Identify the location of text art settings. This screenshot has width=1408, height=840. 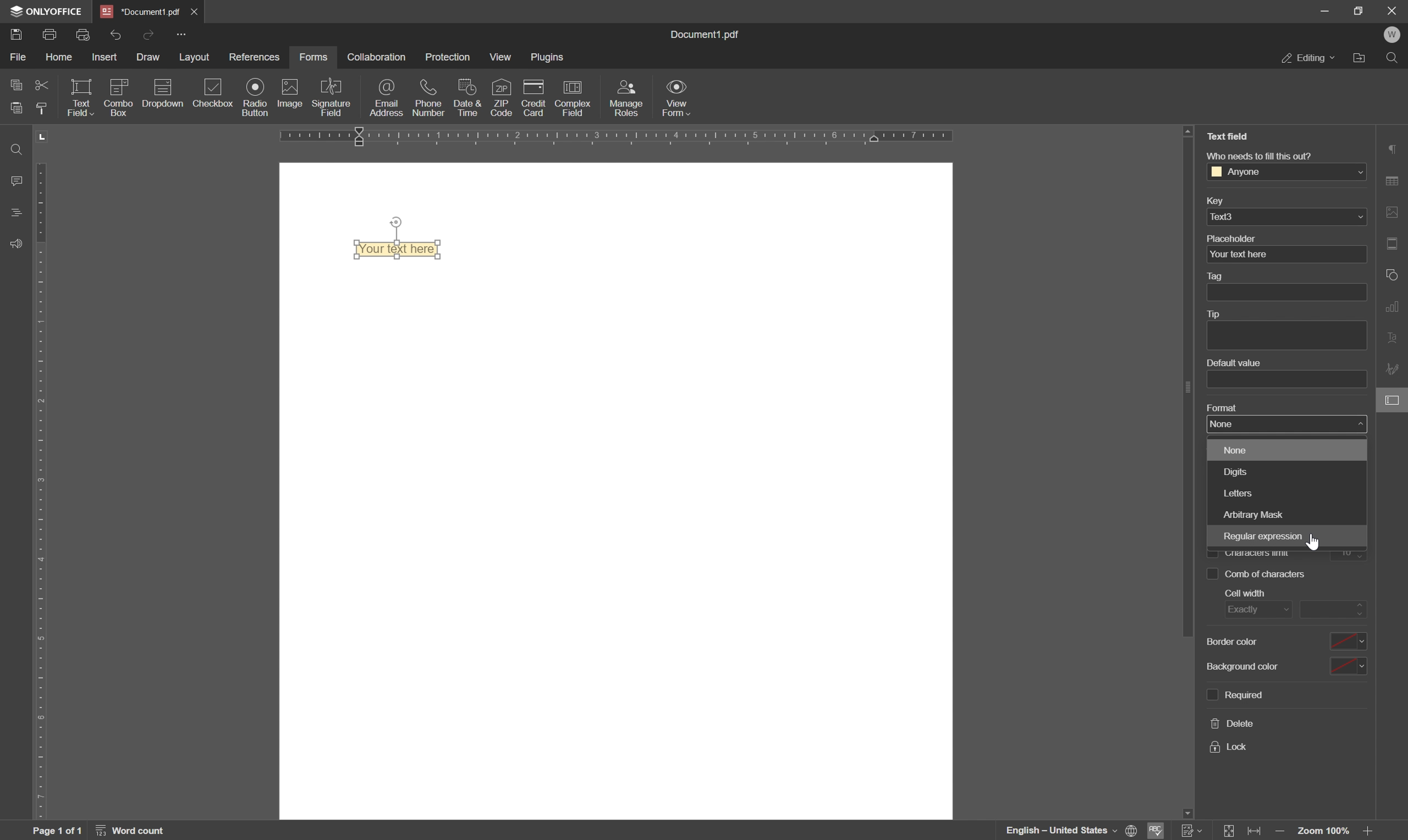
(1395, 340).